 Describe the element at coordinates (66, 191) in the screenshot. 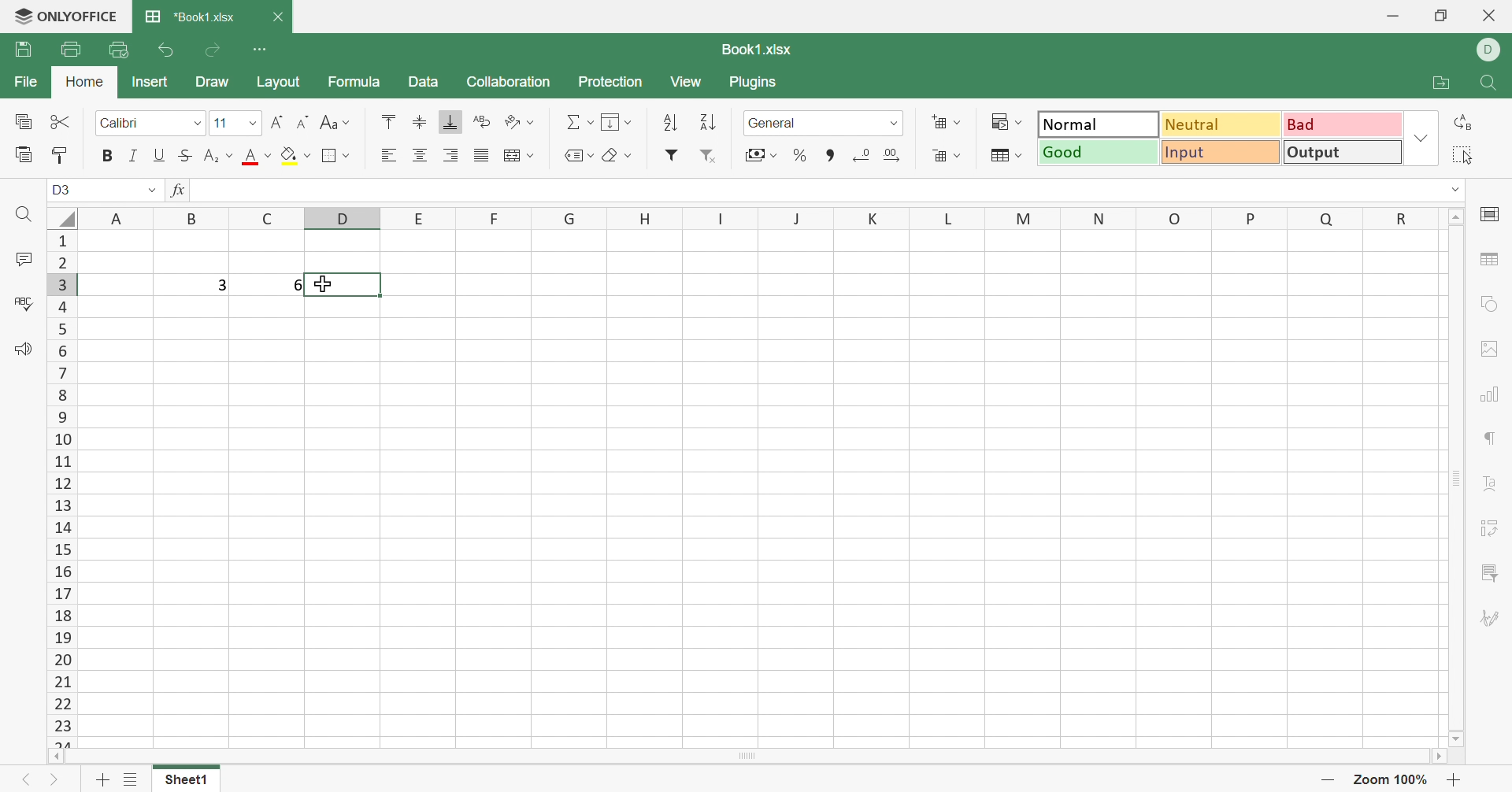

I see `A1` at that location.